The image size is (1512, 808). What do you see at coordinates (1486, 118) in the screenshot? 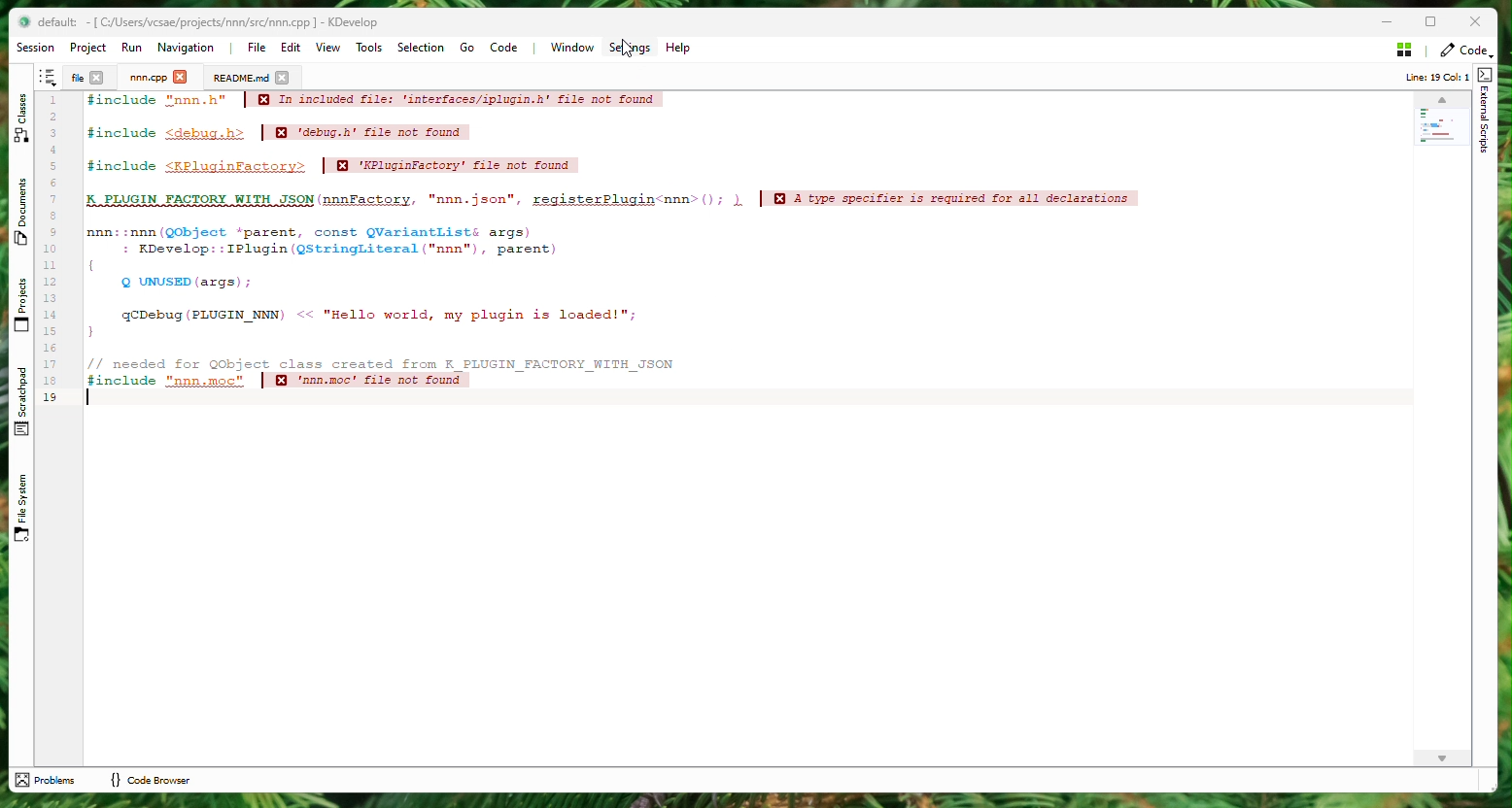
I see `External Script` at bounding box center [1486, 118].